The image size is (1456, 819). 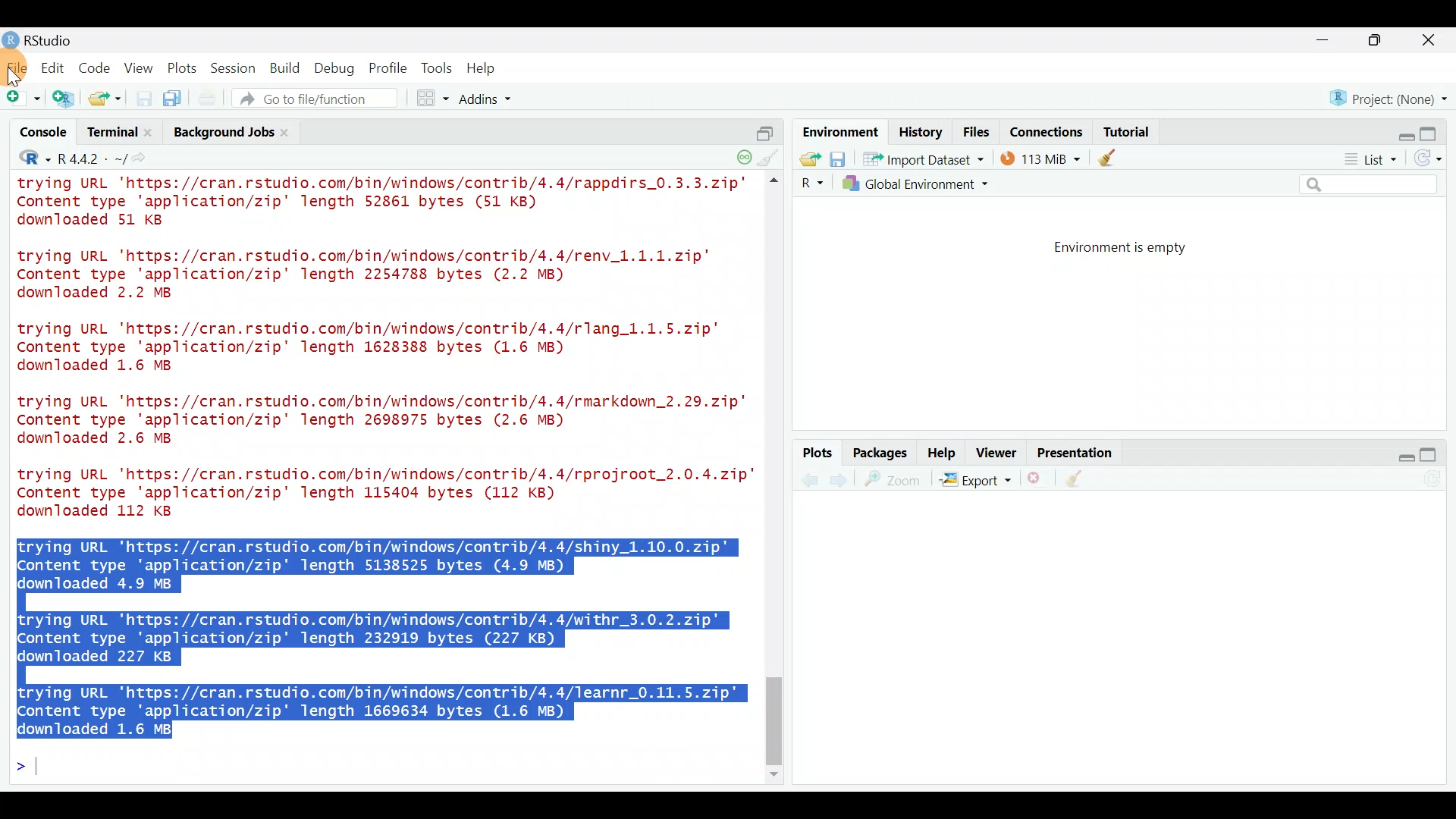 I want to click on Workspace panes, so click(x=434, y=99).